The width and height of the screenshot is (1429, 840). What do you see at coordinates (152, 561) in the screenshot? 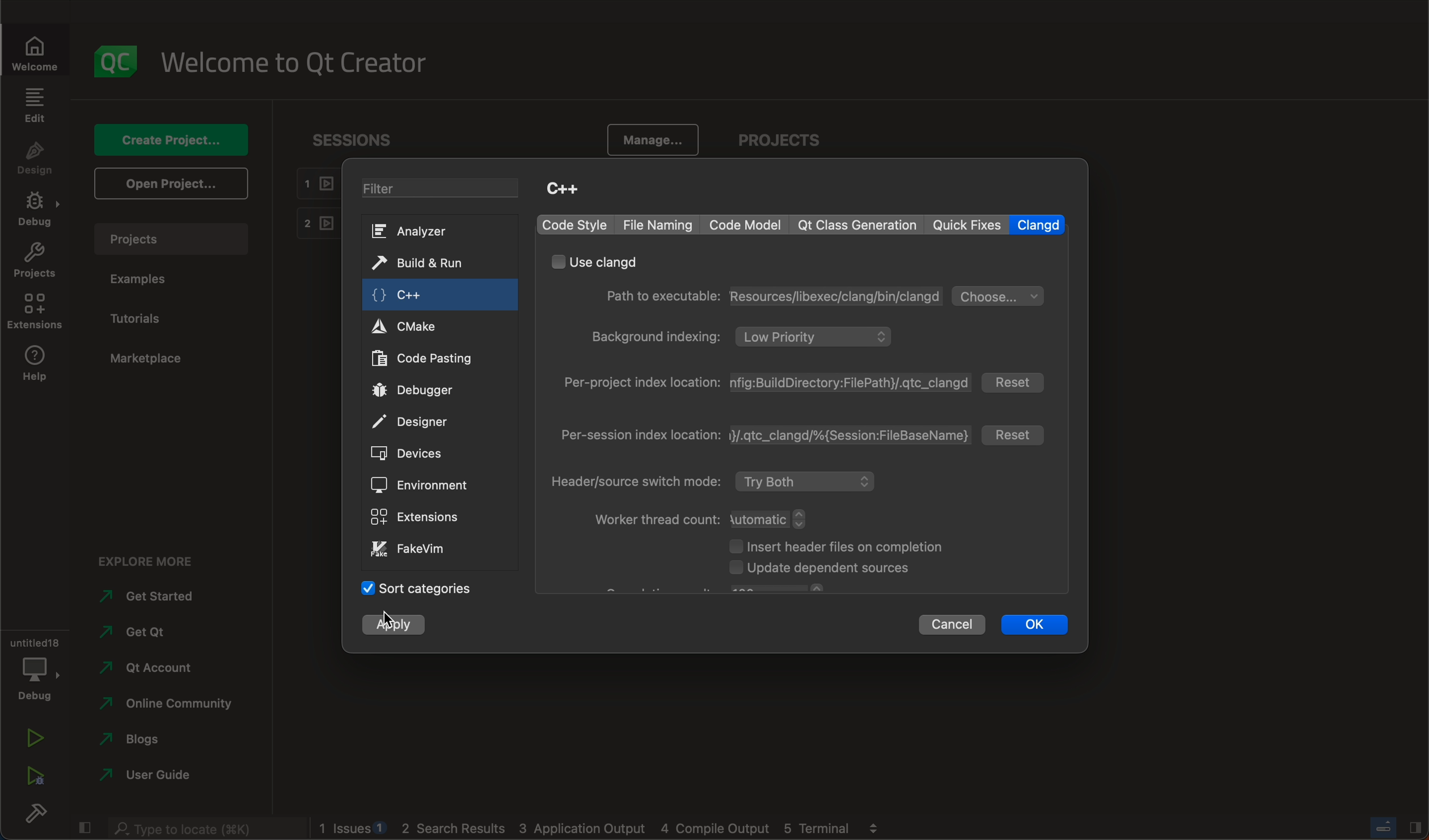
I see `explore more` at bounding box center [152, 561].